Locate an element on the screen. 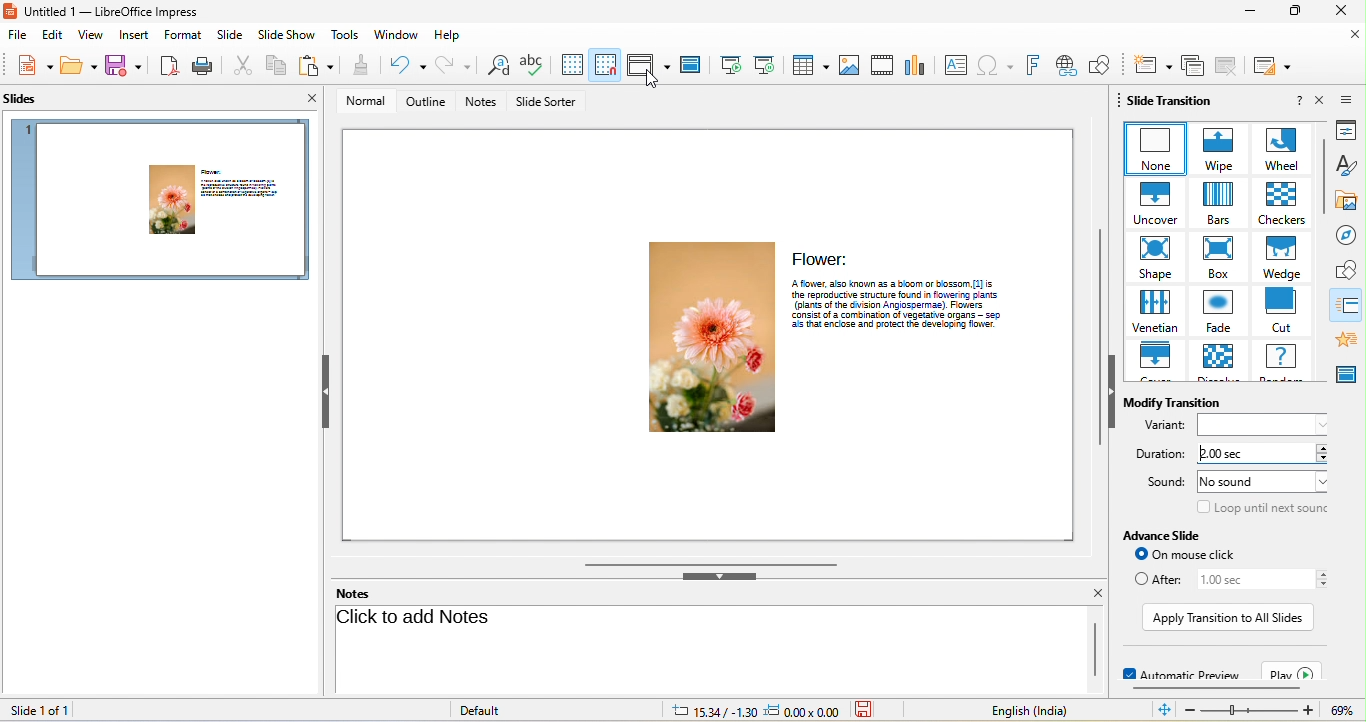  styles is located at coordinates (1351, 165).